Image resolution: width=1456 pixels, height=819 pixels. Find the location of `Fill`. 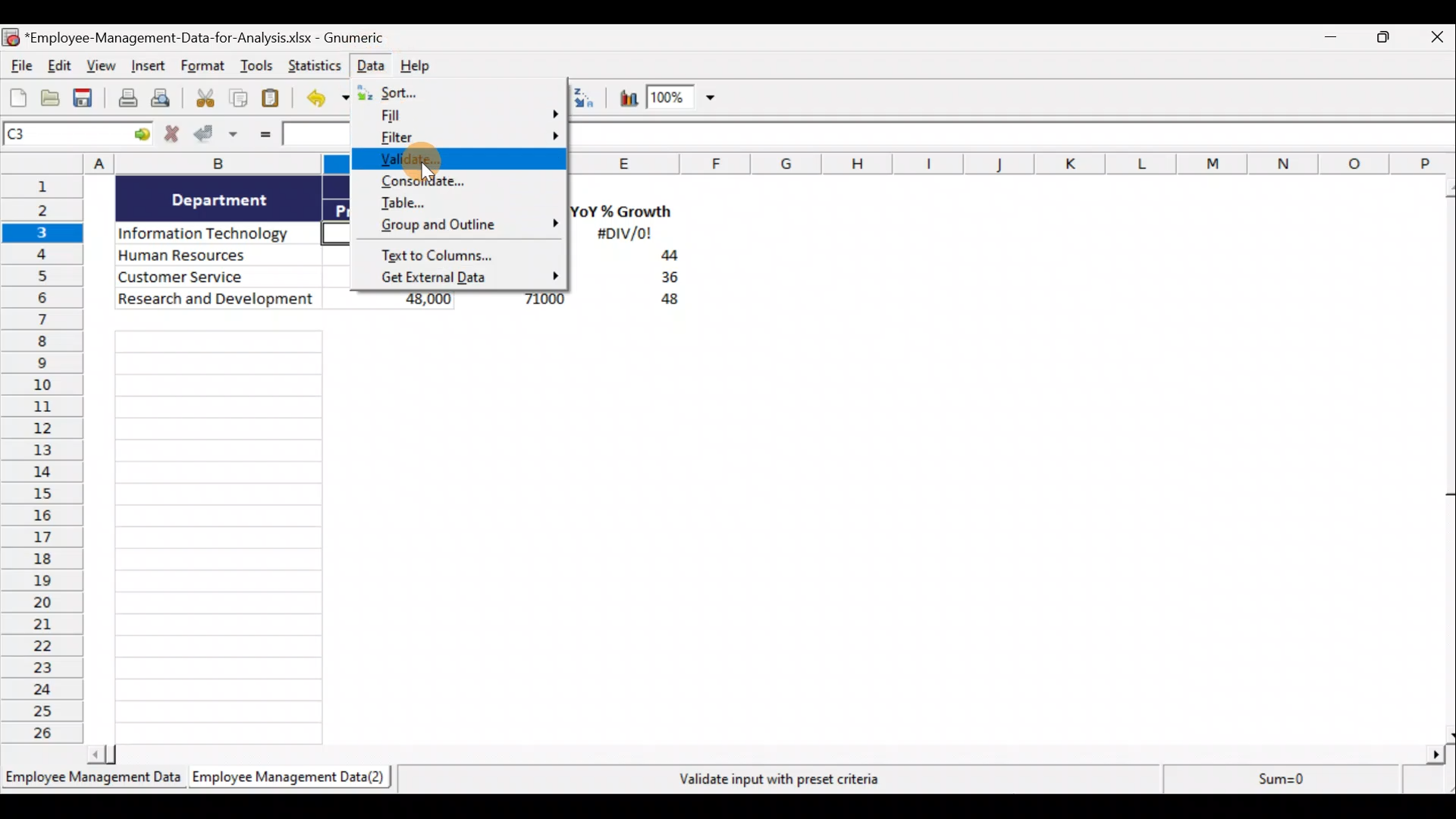

Fill is located at coordinates (467, 119).